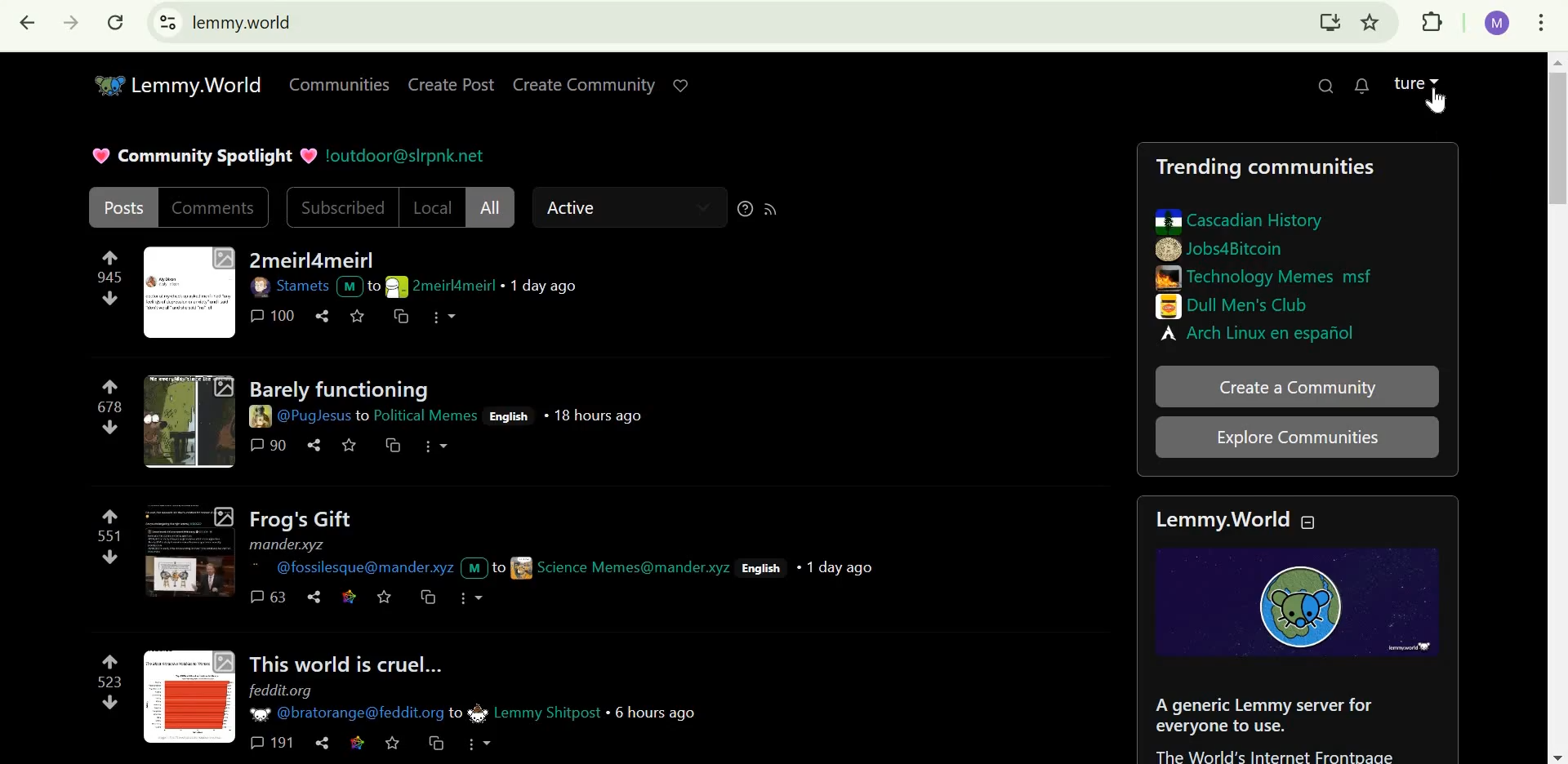 The height and width of the screenshot is (764, 1568). Describe the element at coordinates (340, 387) in the screenshot. I see `Barely functioning` at that location.